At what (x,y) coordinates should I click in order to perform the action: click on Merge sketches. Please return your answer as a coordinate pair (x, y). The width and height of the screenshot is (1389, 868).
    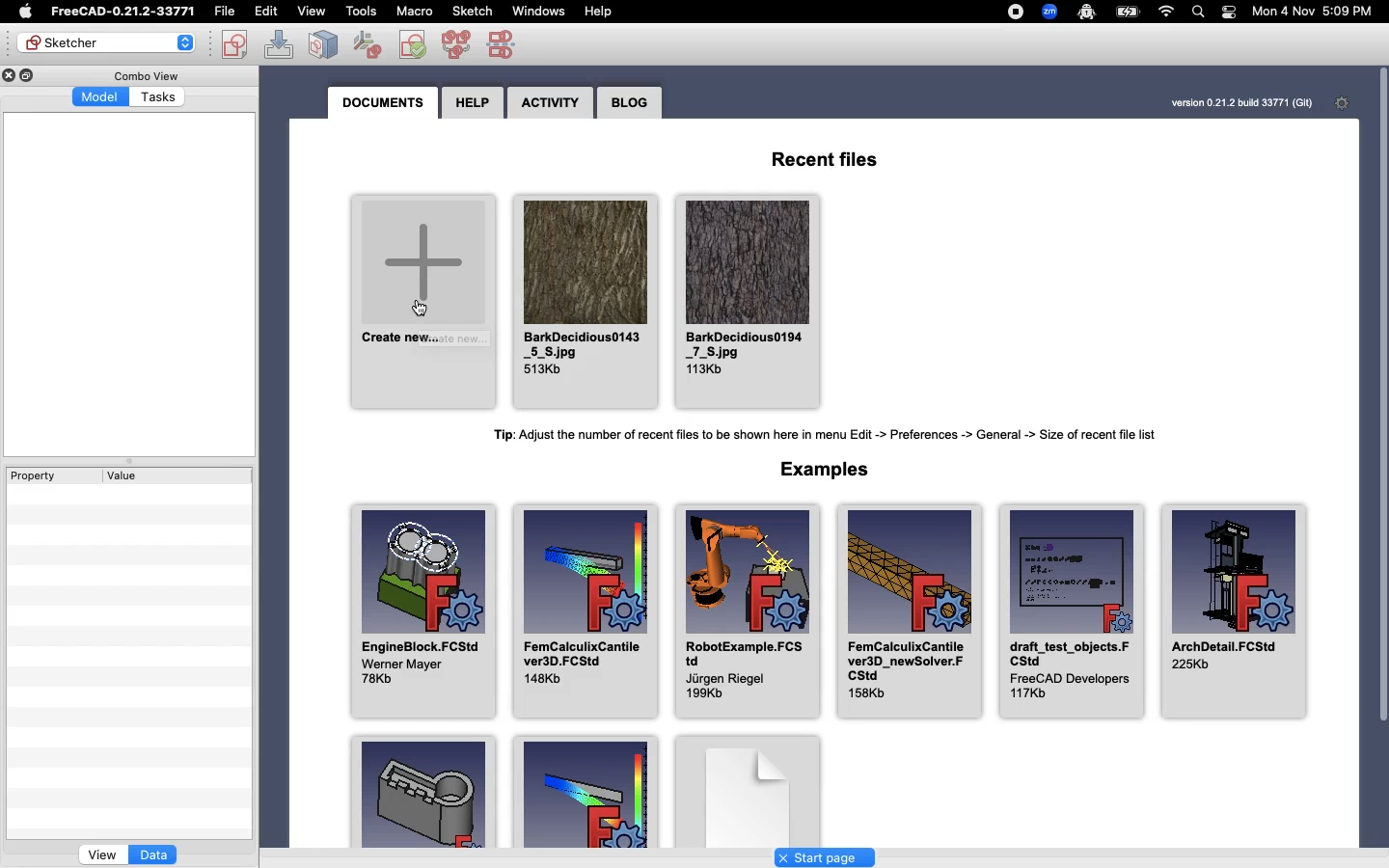
    Looking at the image, I should click on (456, 43).